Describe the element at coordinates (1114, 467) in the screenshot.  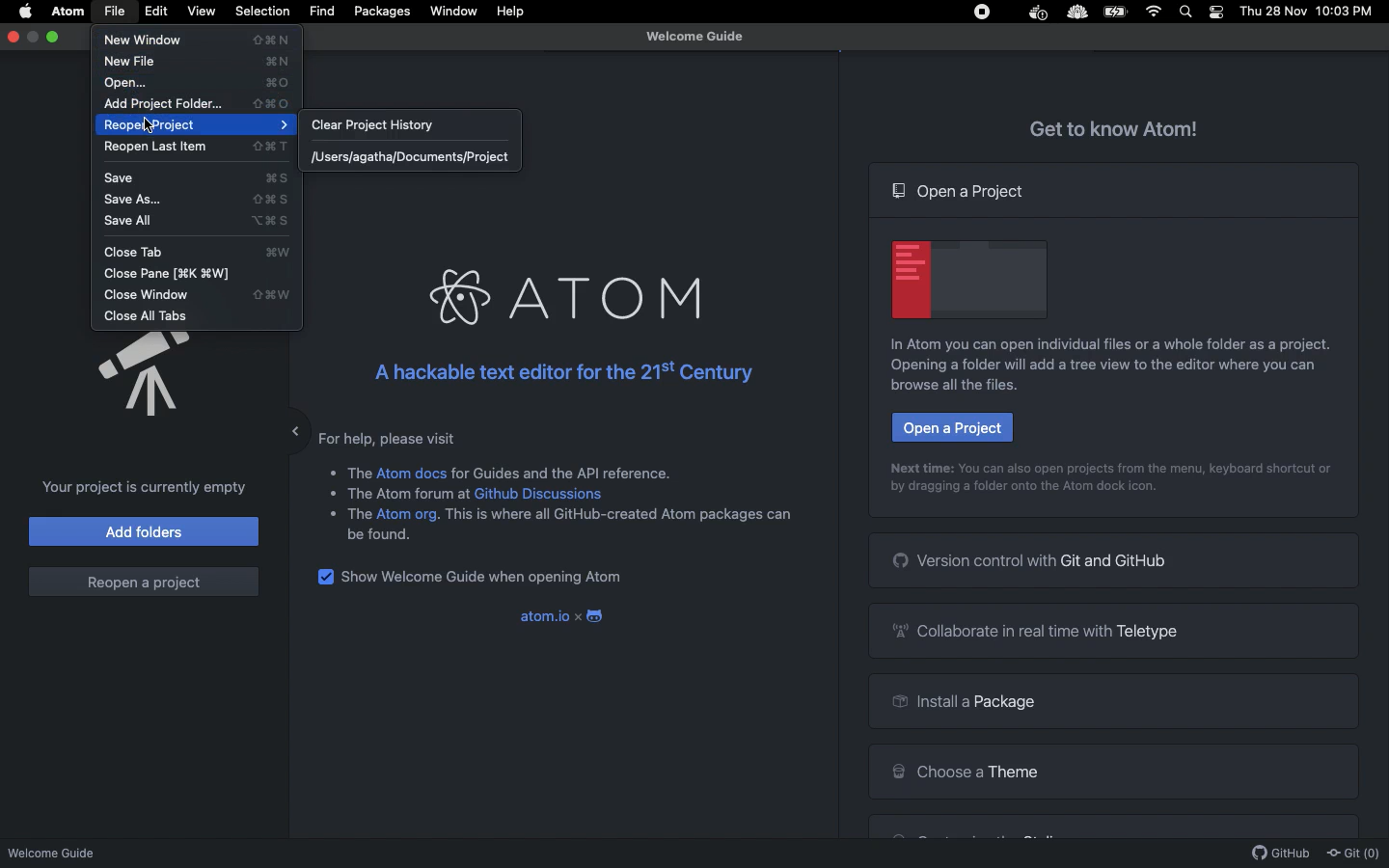
I see `Instructional text` at that location.